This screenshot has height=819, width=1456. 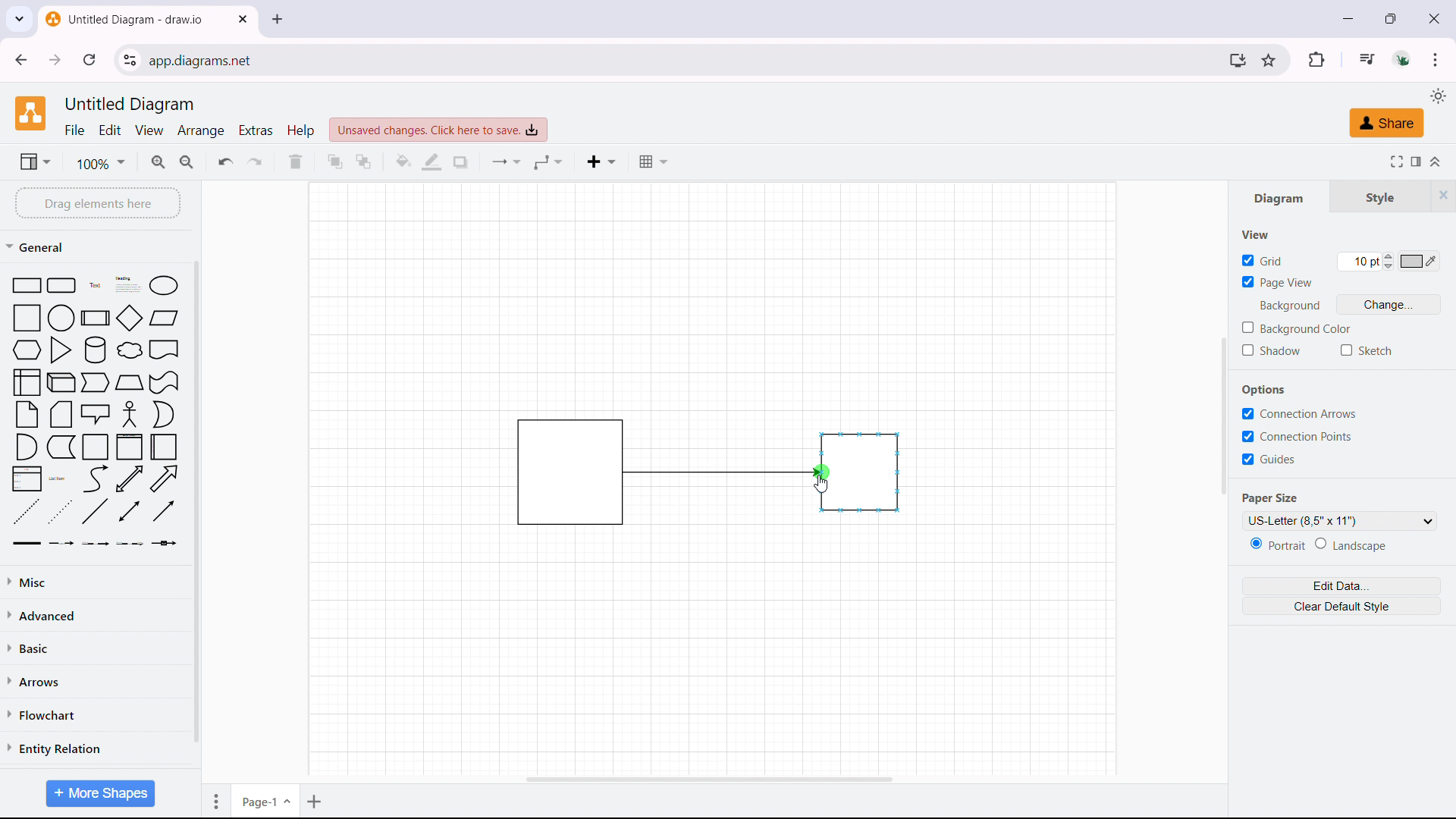 What do you see at coordinates (363, 162) in the screenshot?
I see `to back` at bounding box center [363, 162].